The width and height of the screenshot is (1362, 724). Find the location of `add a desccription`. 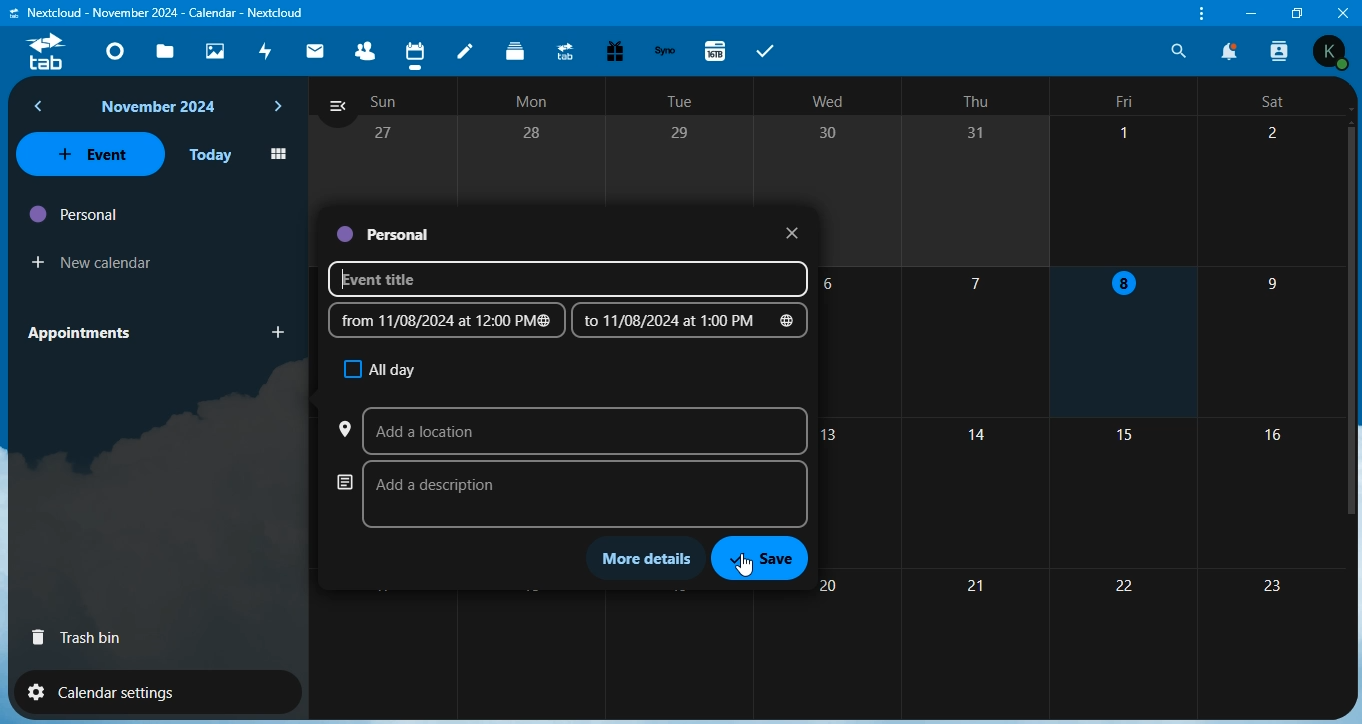

add a desccription is located at coordinates (571, 491).